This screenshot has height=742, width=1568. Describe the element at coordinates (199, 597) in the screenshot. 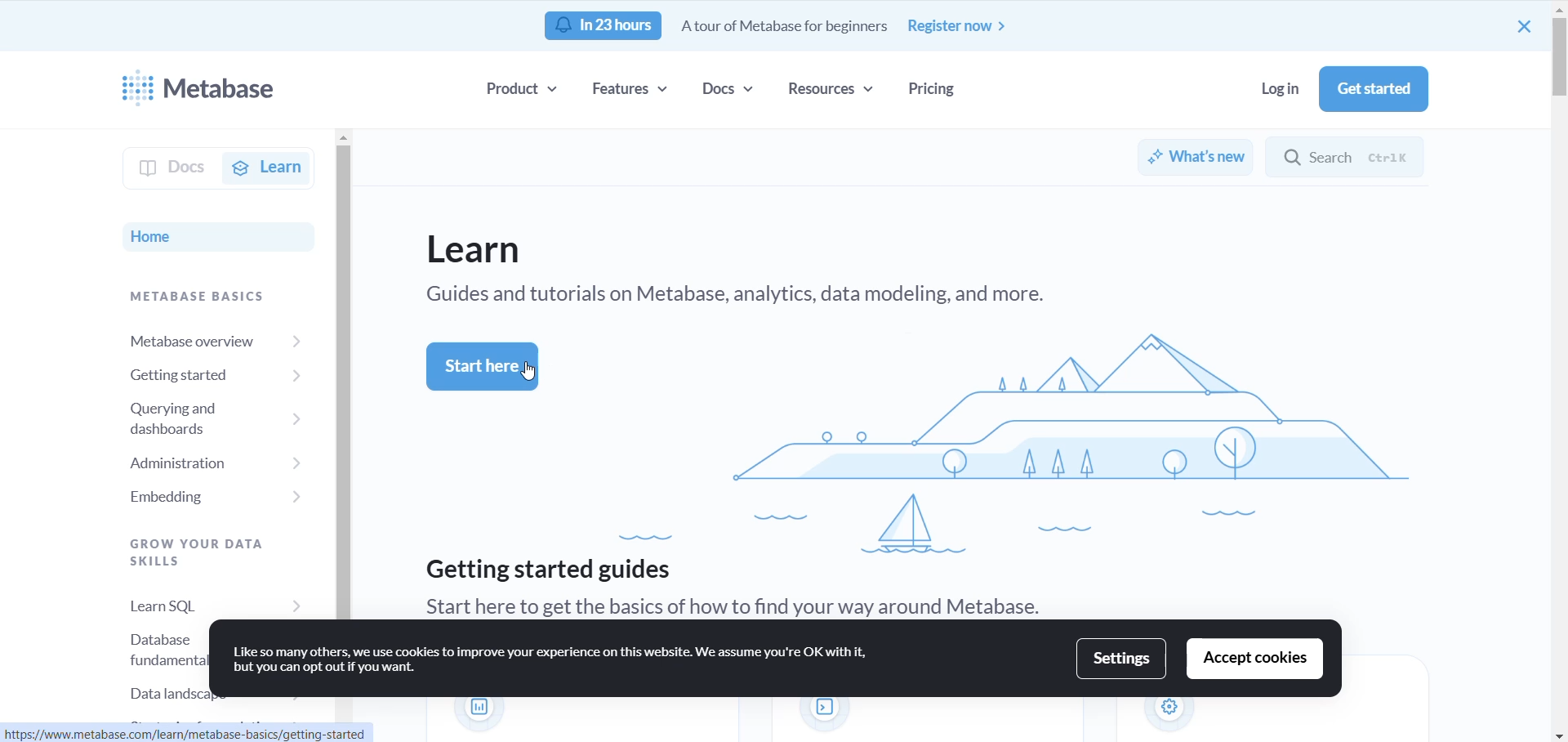

I see `learn SQL` at that location.